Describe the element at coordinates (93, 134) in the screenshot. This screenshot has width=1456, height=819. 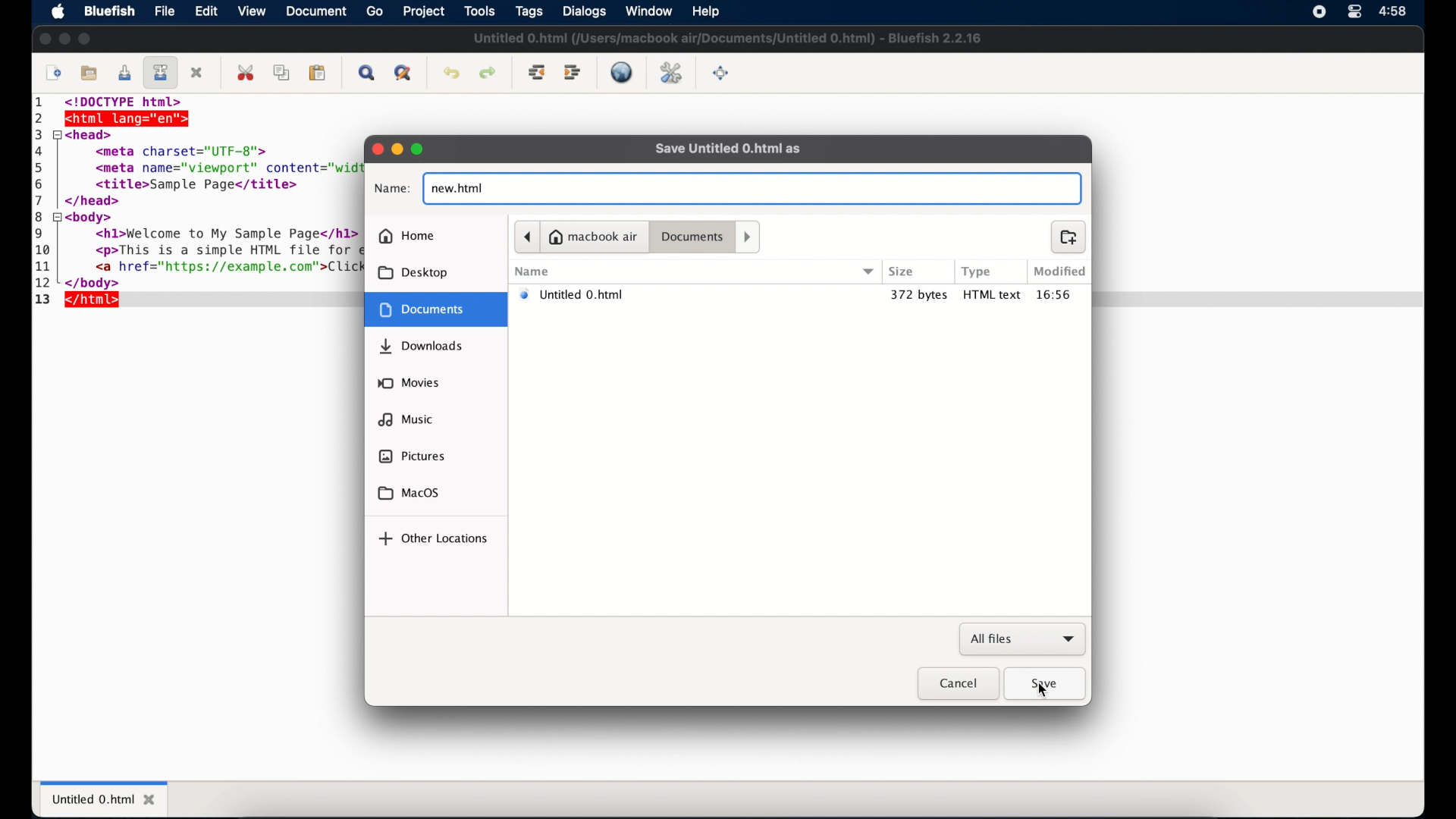
I see `<head>` at that location.